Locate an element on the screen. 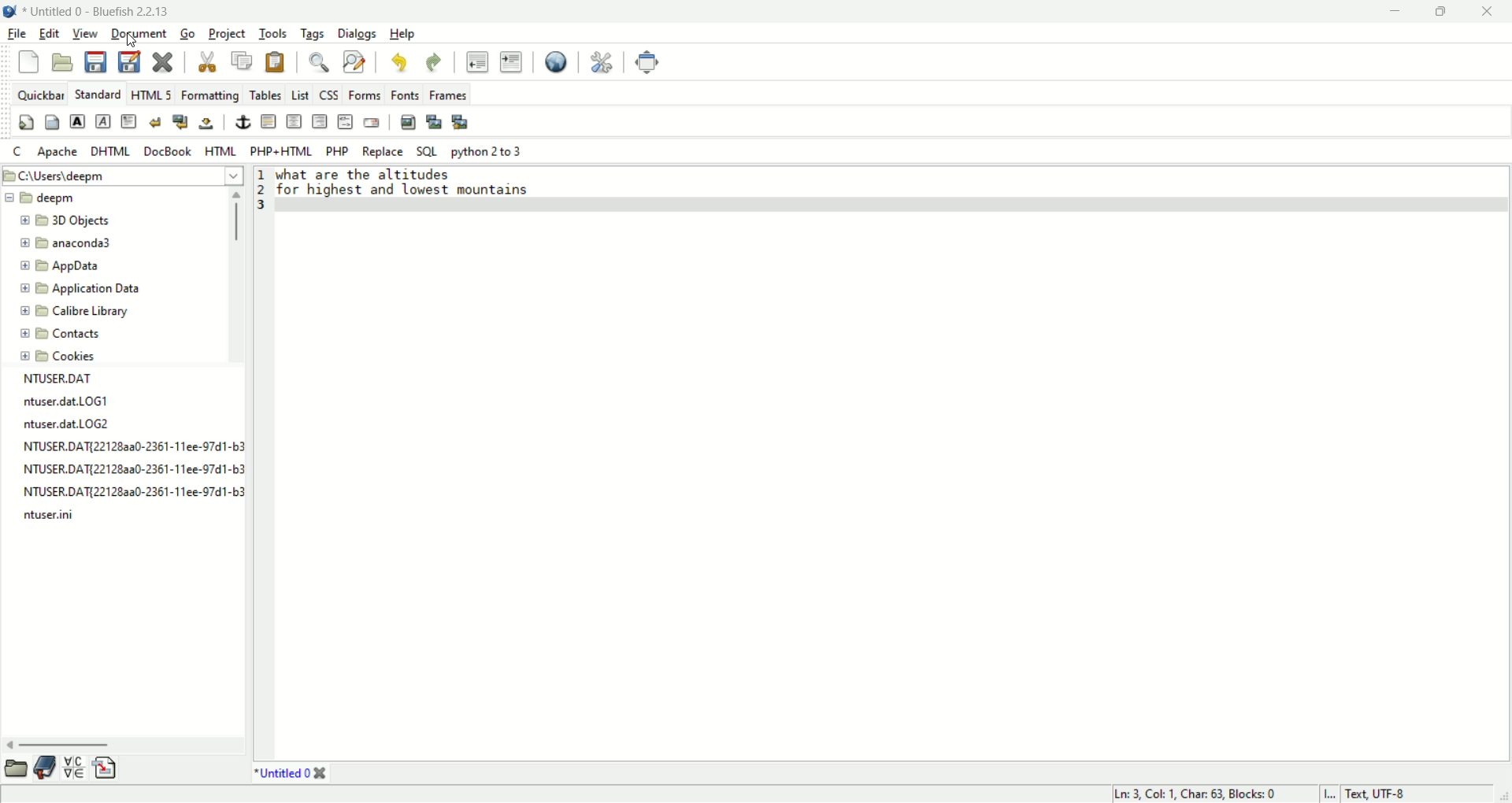  Apache is located at coordinates (61, 150).